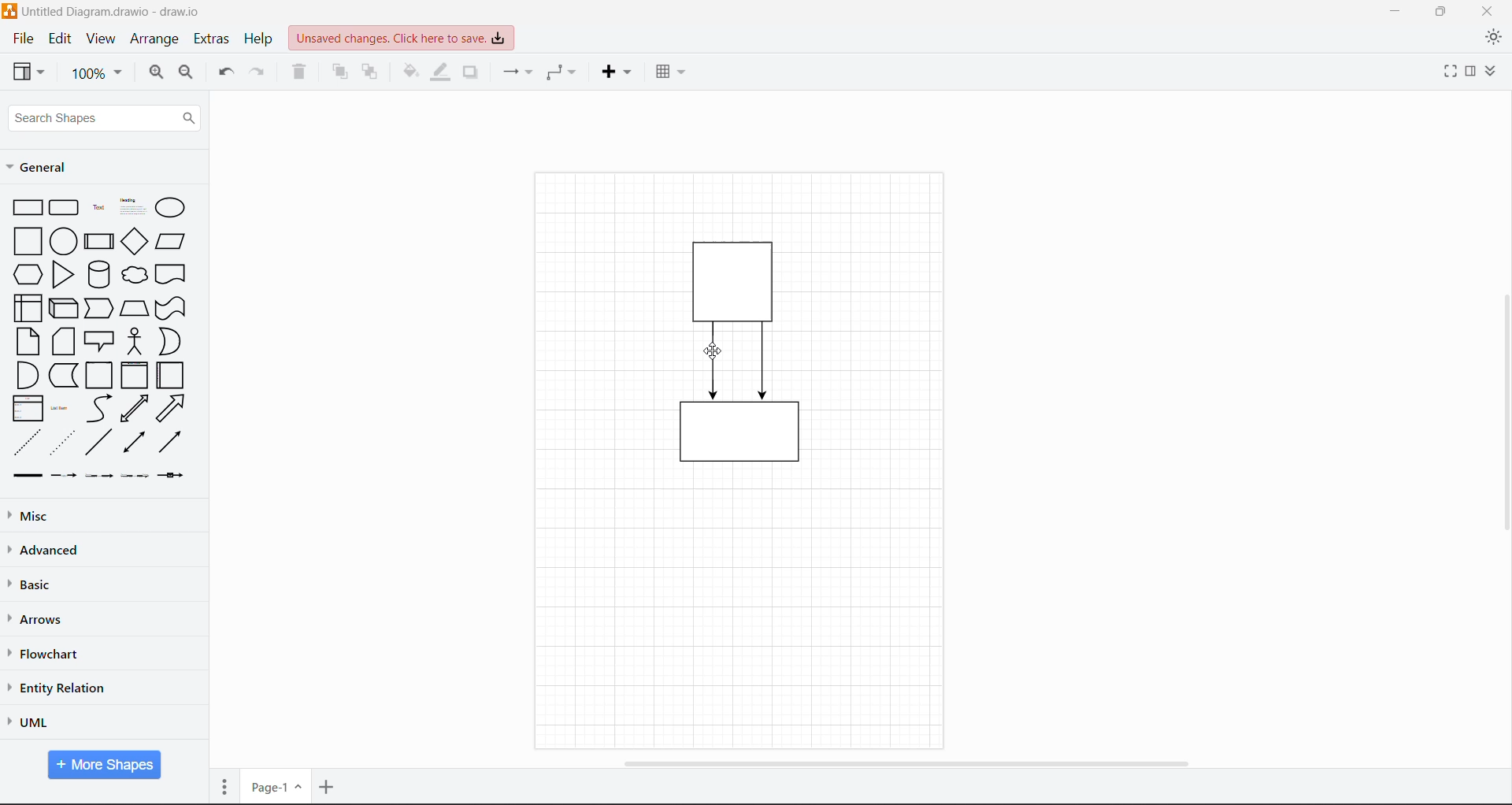  I want to click on close, so click(1487, 10).